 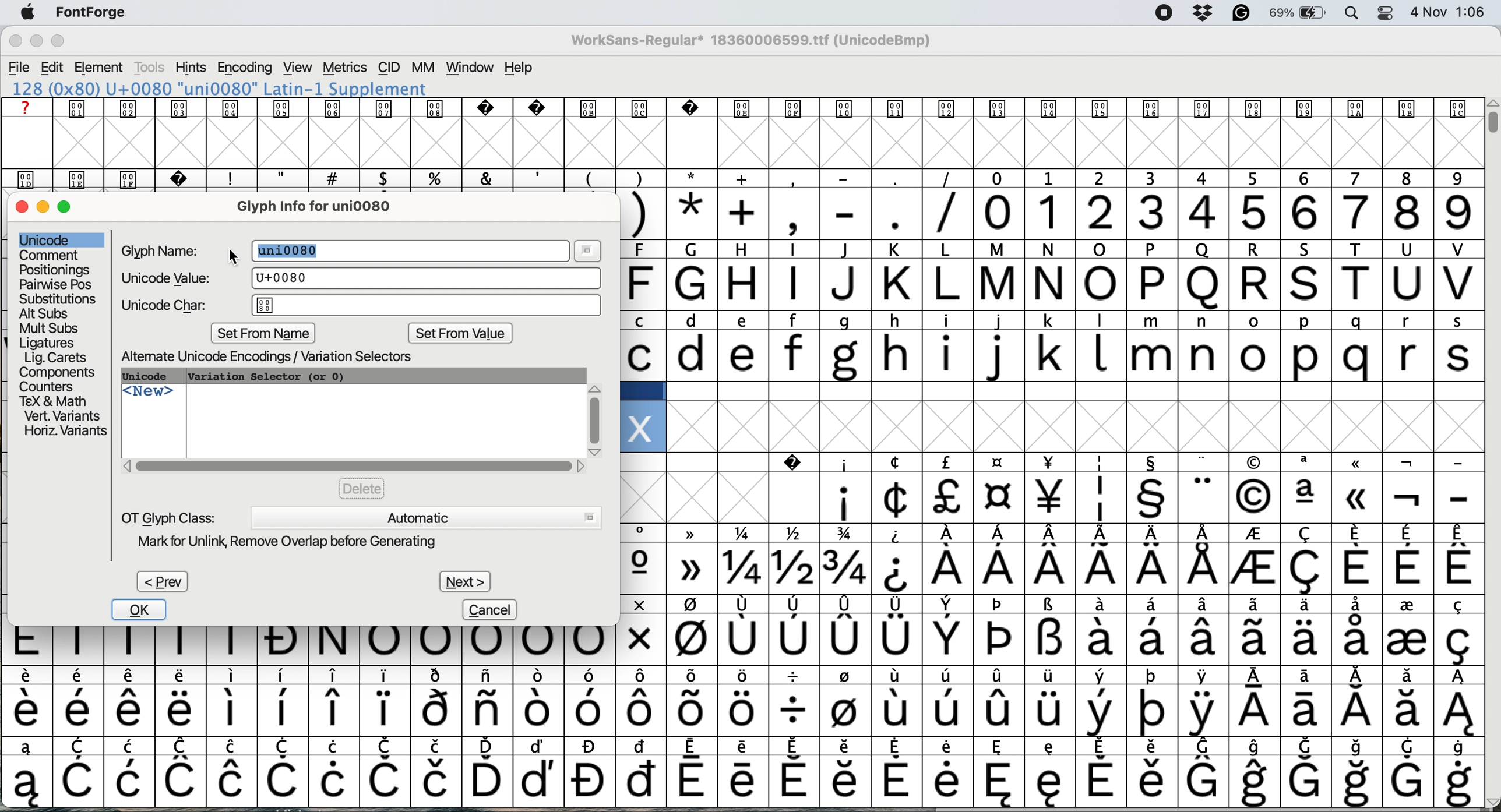 What do you see at coordinates (280, 357) in the screenshot?
I see `alternate unicode encodings variation selectors` at bounding box center [280, 357].